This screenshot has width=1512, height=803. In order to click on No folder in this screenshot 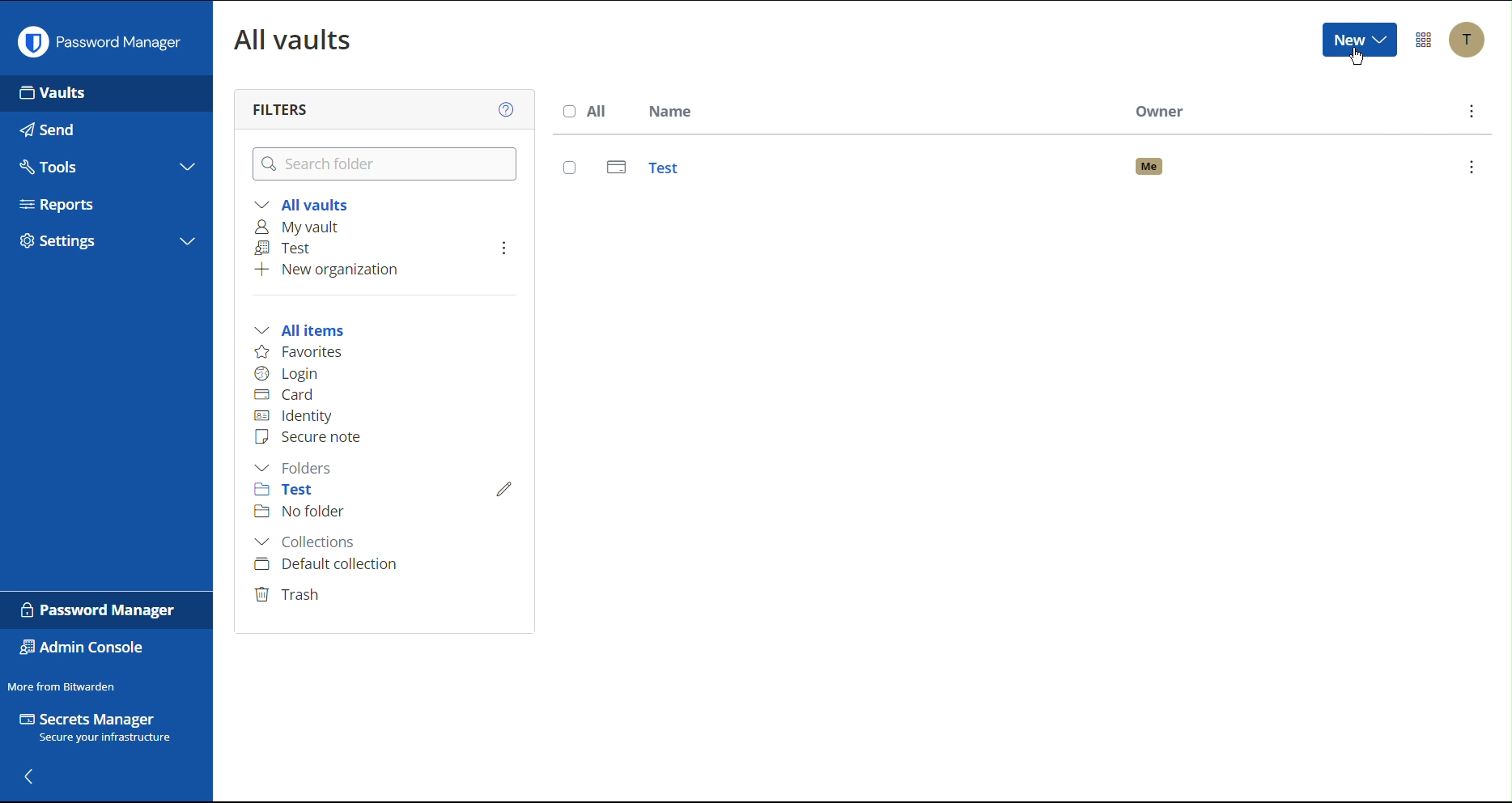, I will do `click(301, 512)`.